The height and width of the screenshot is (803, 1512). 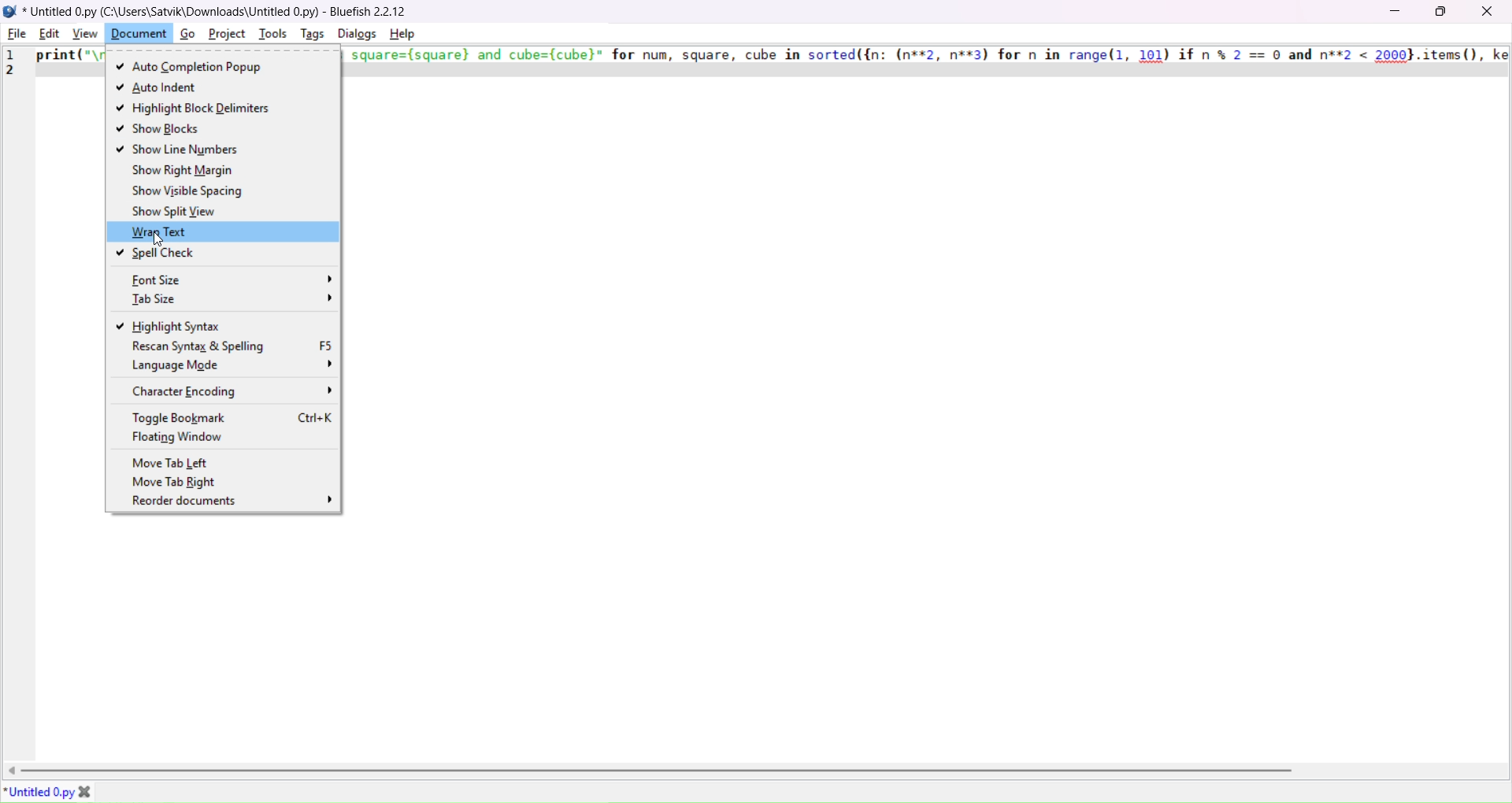 What do you see at coordinates (310, 34) in the screenshot?
I see `tags` at bounding box center [310, 34].